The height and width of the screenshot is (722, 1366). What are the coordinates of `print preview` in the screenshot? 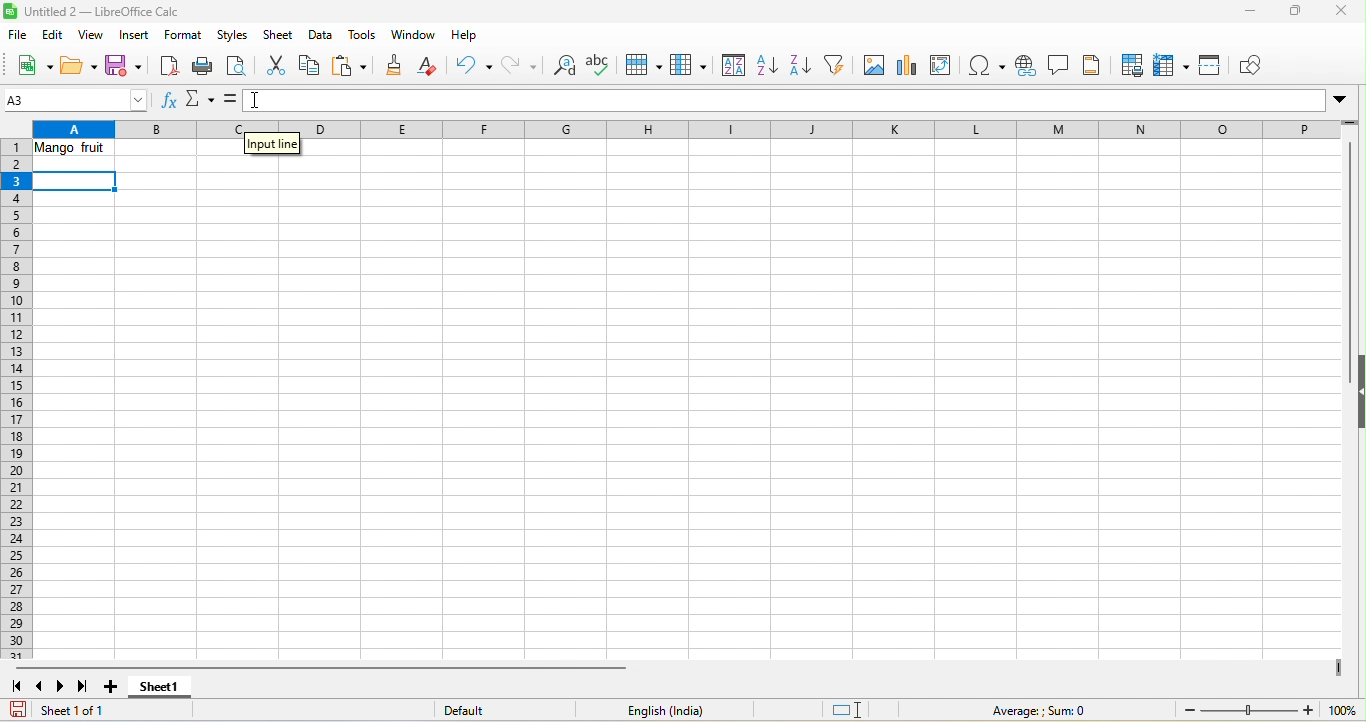 It's located at (237, 66).